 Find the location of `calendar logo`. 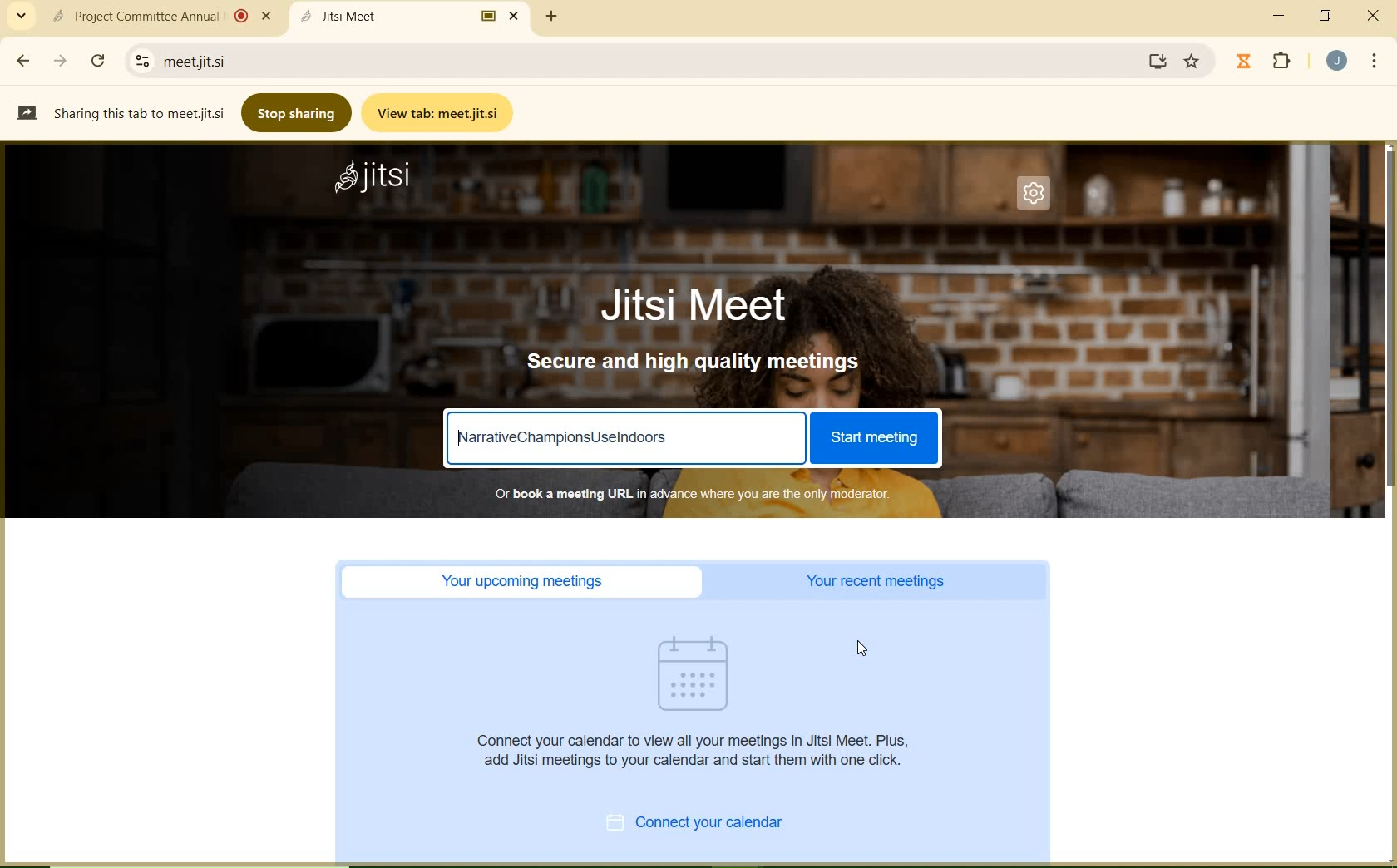

calendar logo is located at coordinates (694, 677).